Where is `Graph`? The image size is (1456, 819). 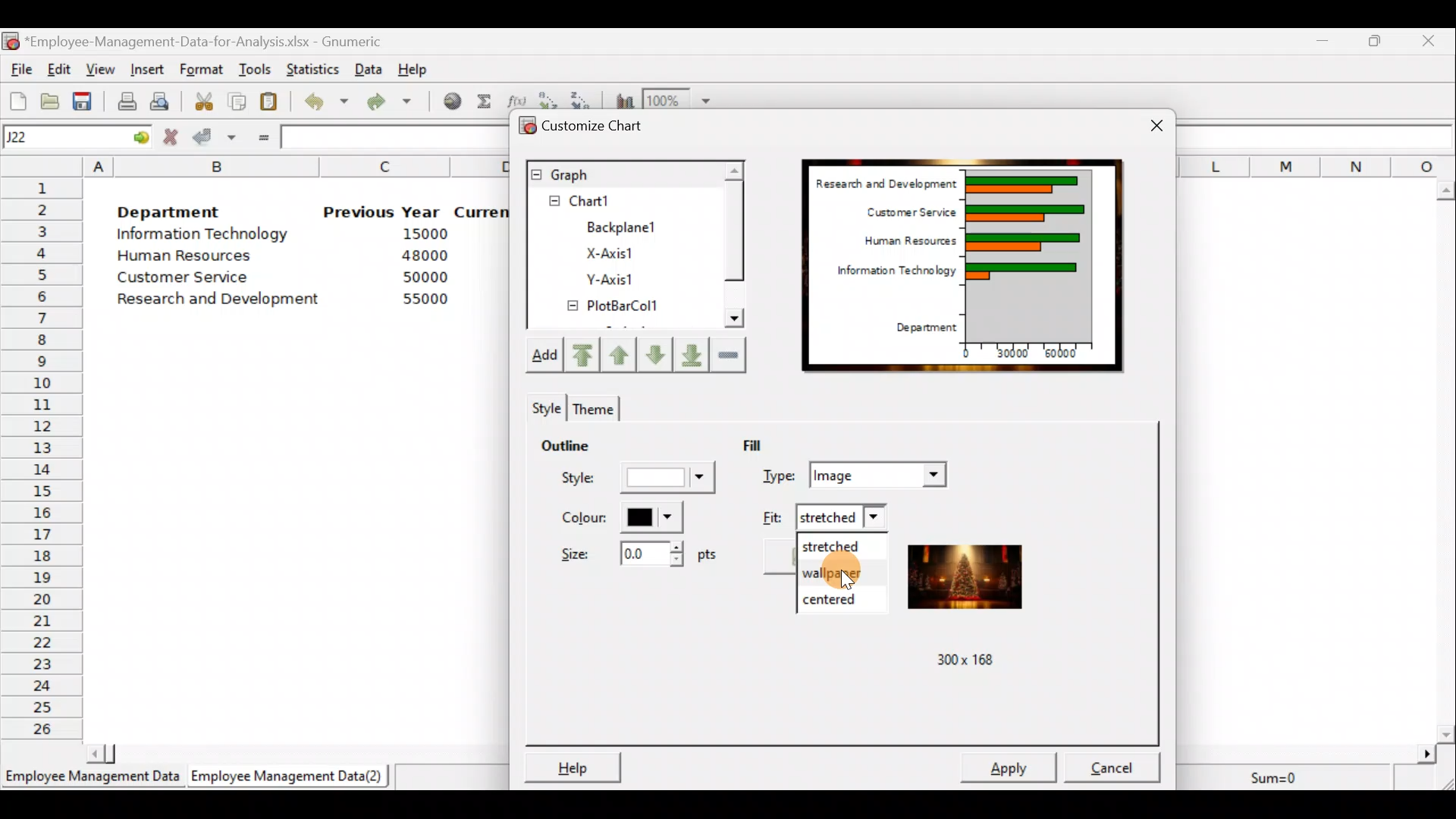
Graph is located at coordinates (623, 173).